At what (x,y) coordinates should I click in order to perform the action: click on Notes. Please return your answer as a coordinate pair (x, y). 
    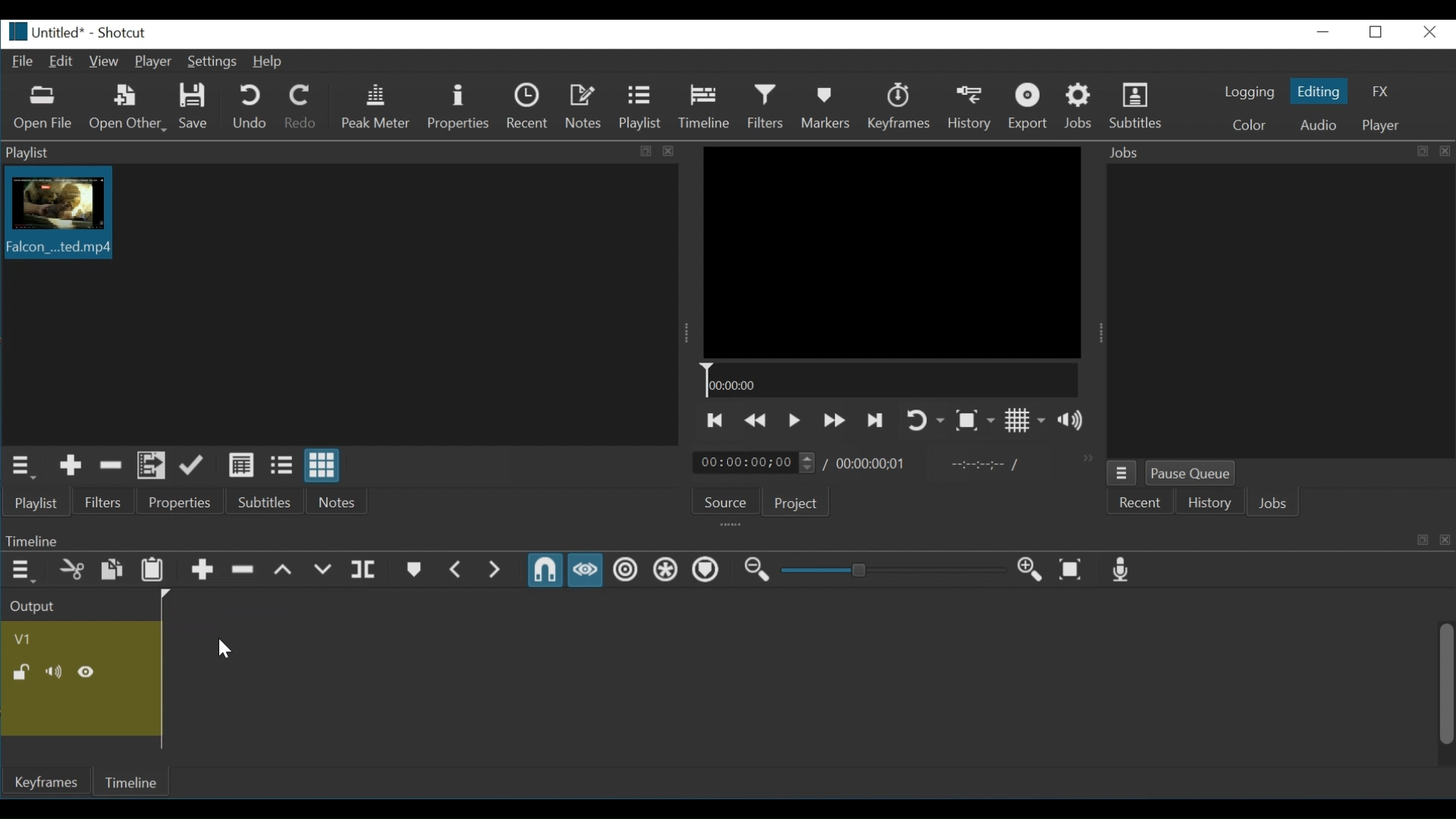
    Looking at the image, I should click on (585, 106).